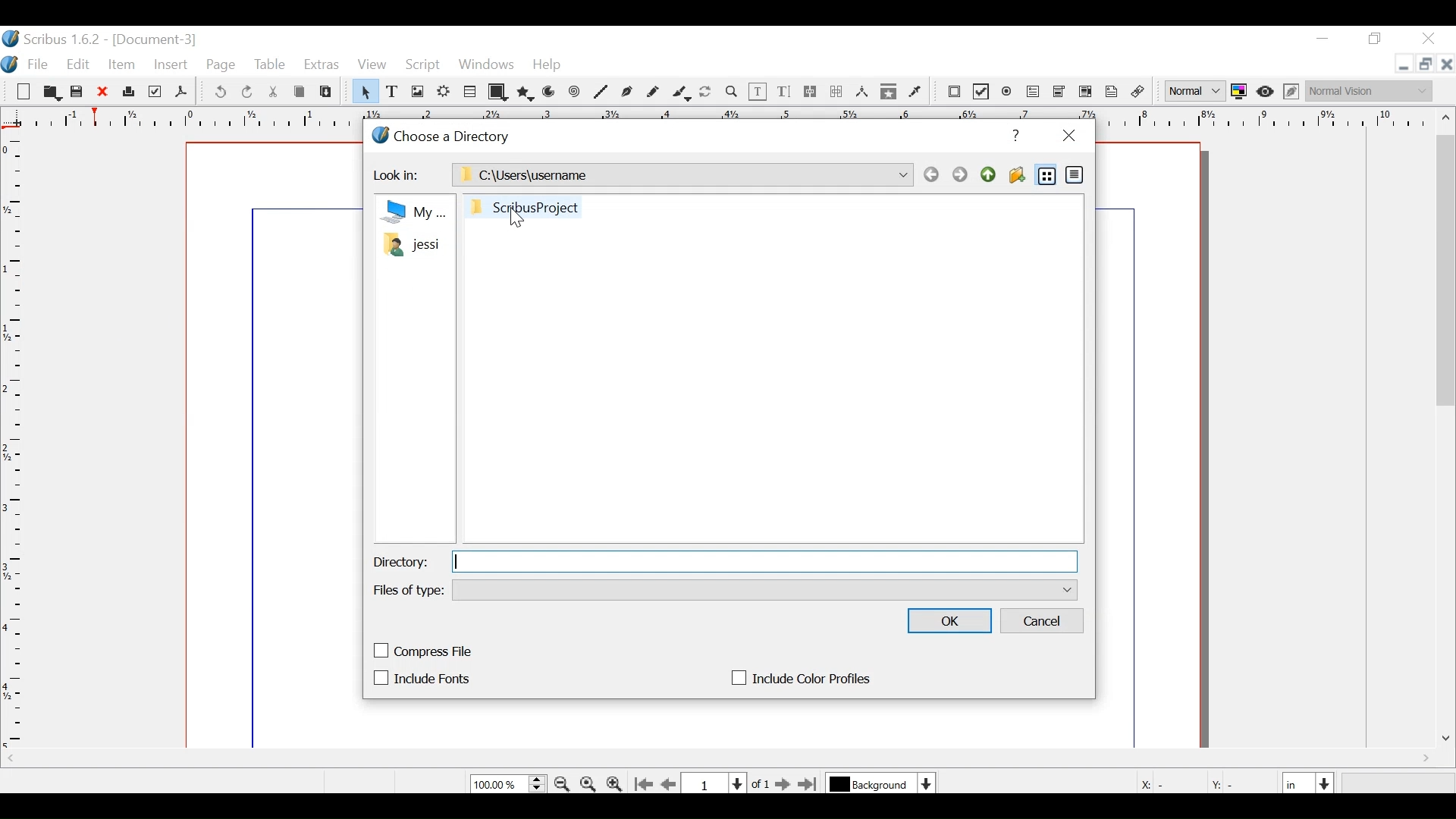  I want to click on PDF Combo Box , so click(1061, 93).